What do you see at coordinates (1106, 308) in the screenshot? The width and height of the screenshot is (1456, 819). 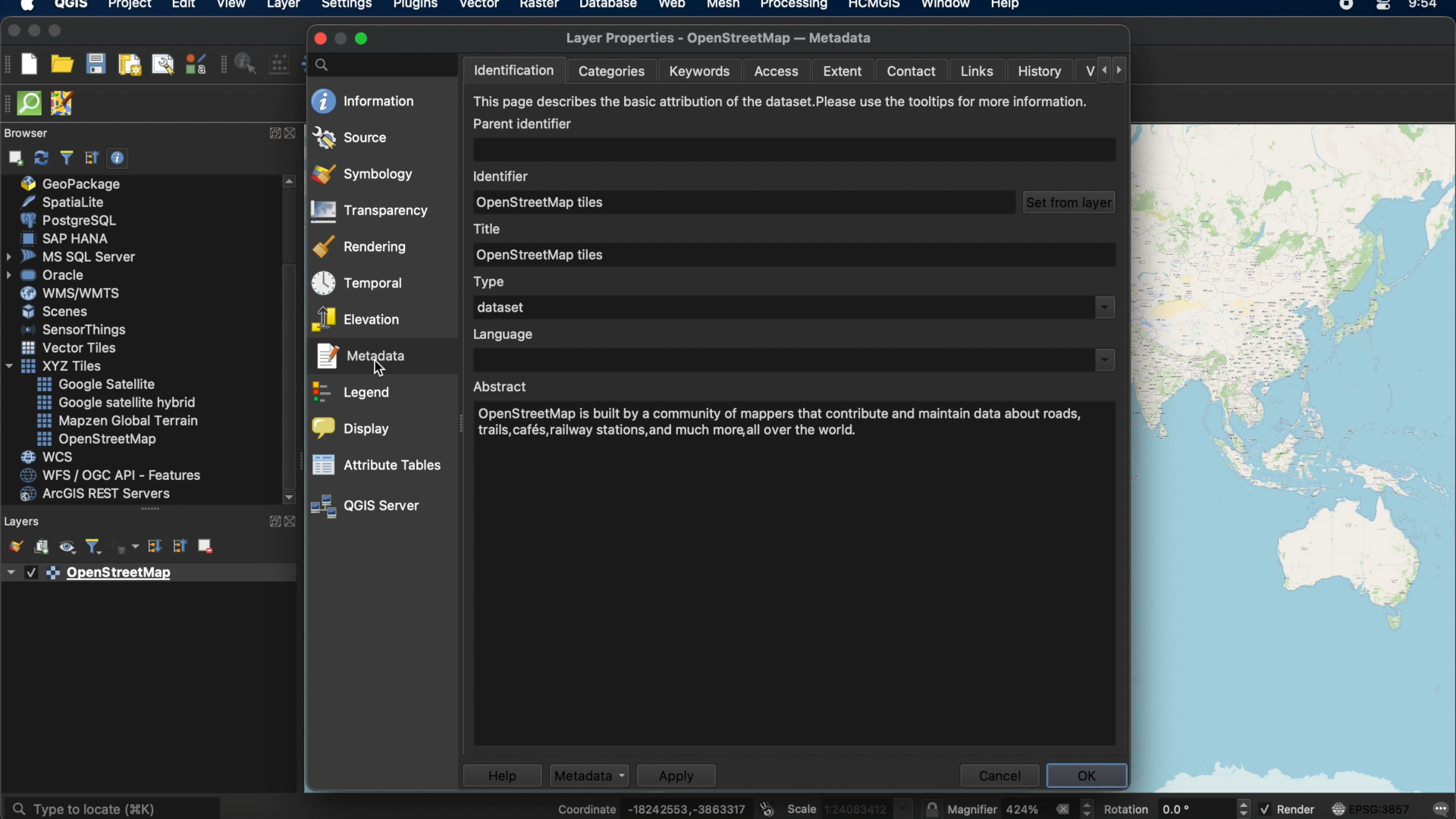 I see `dropdown menu` at bounding box center [1106, 308].